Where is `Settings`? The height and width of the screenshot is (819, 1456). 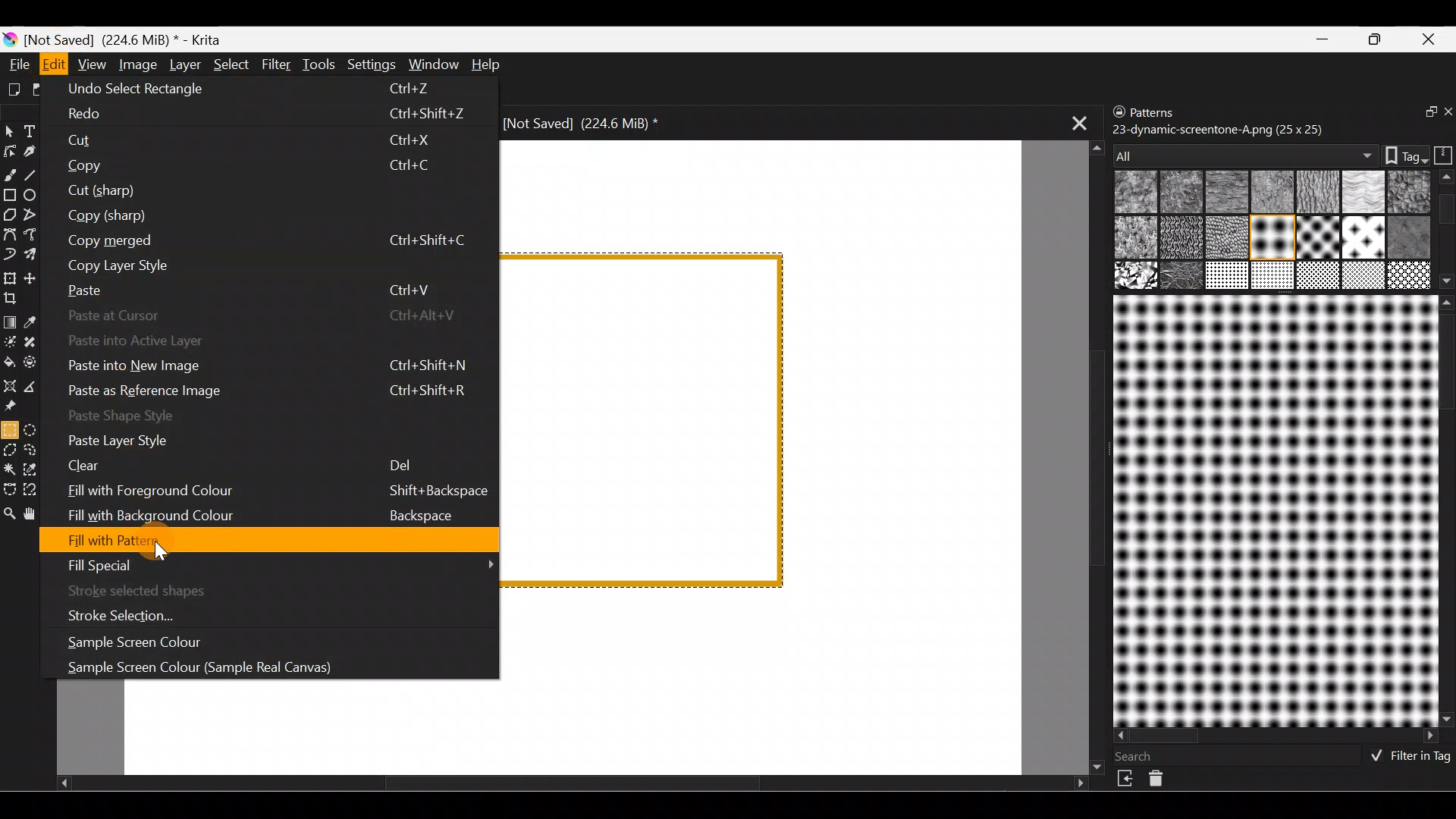
Settings is located at coordinates (369, 65).